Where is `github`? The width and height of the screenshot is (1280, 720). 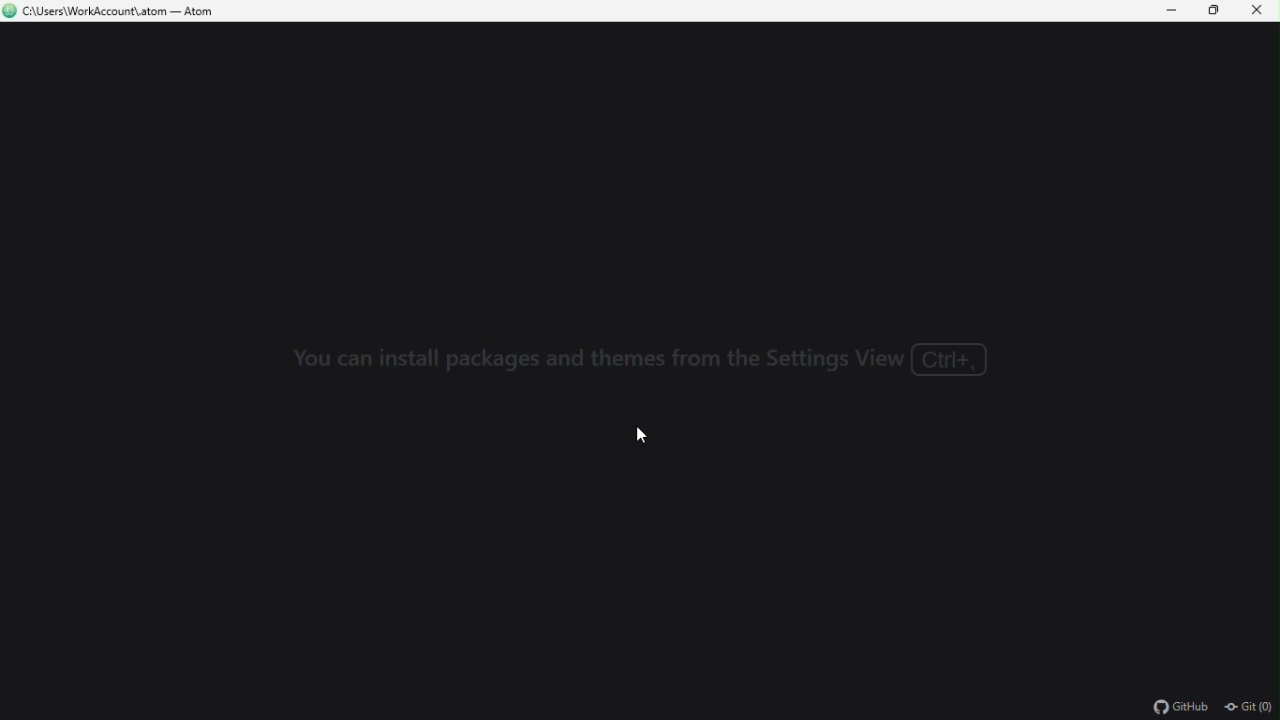 github is located at coordinates (1181, 708).